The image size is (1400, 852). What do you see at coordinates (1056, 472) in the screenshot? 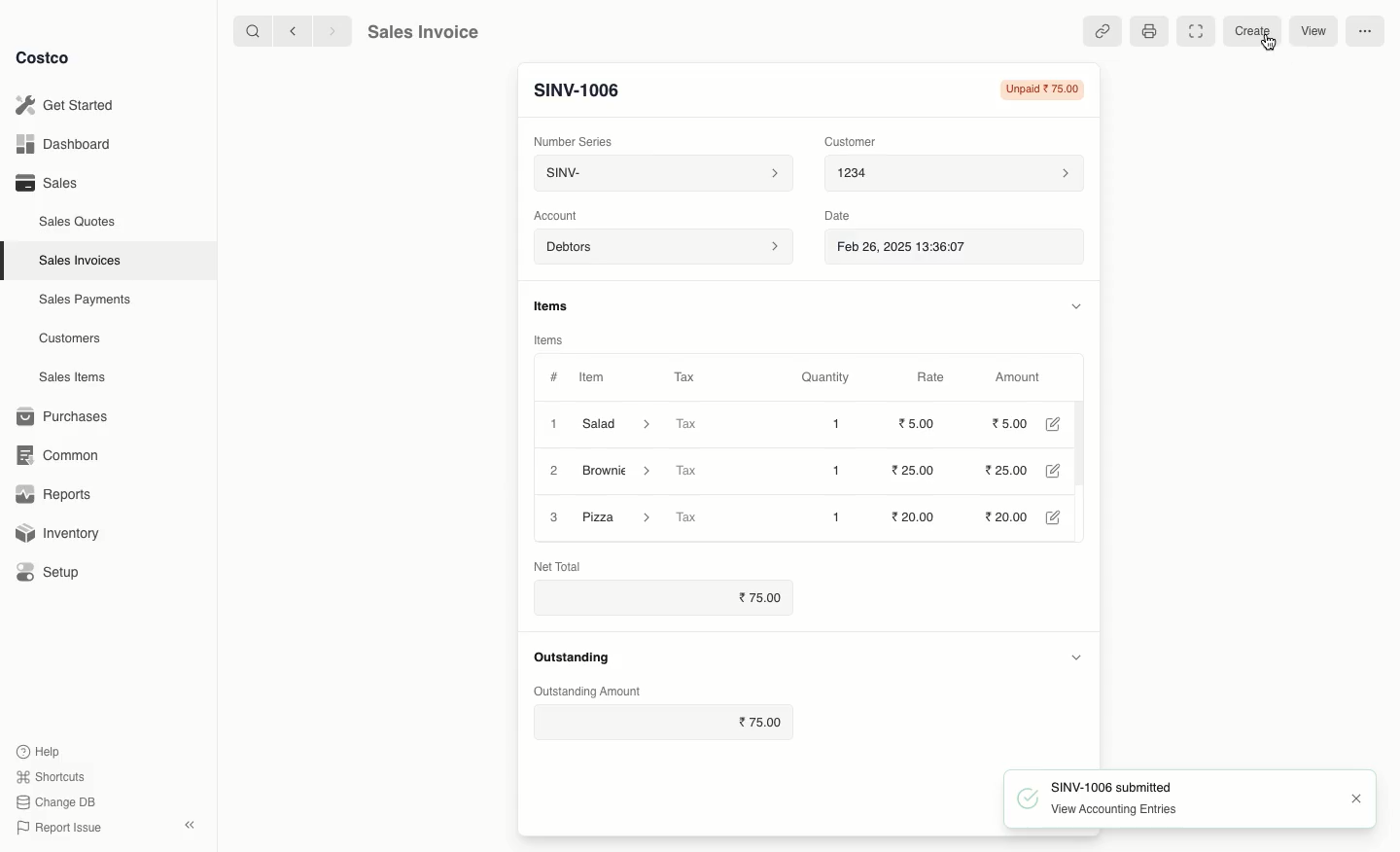
I see `Edit` at bounding box center [1056, 472].